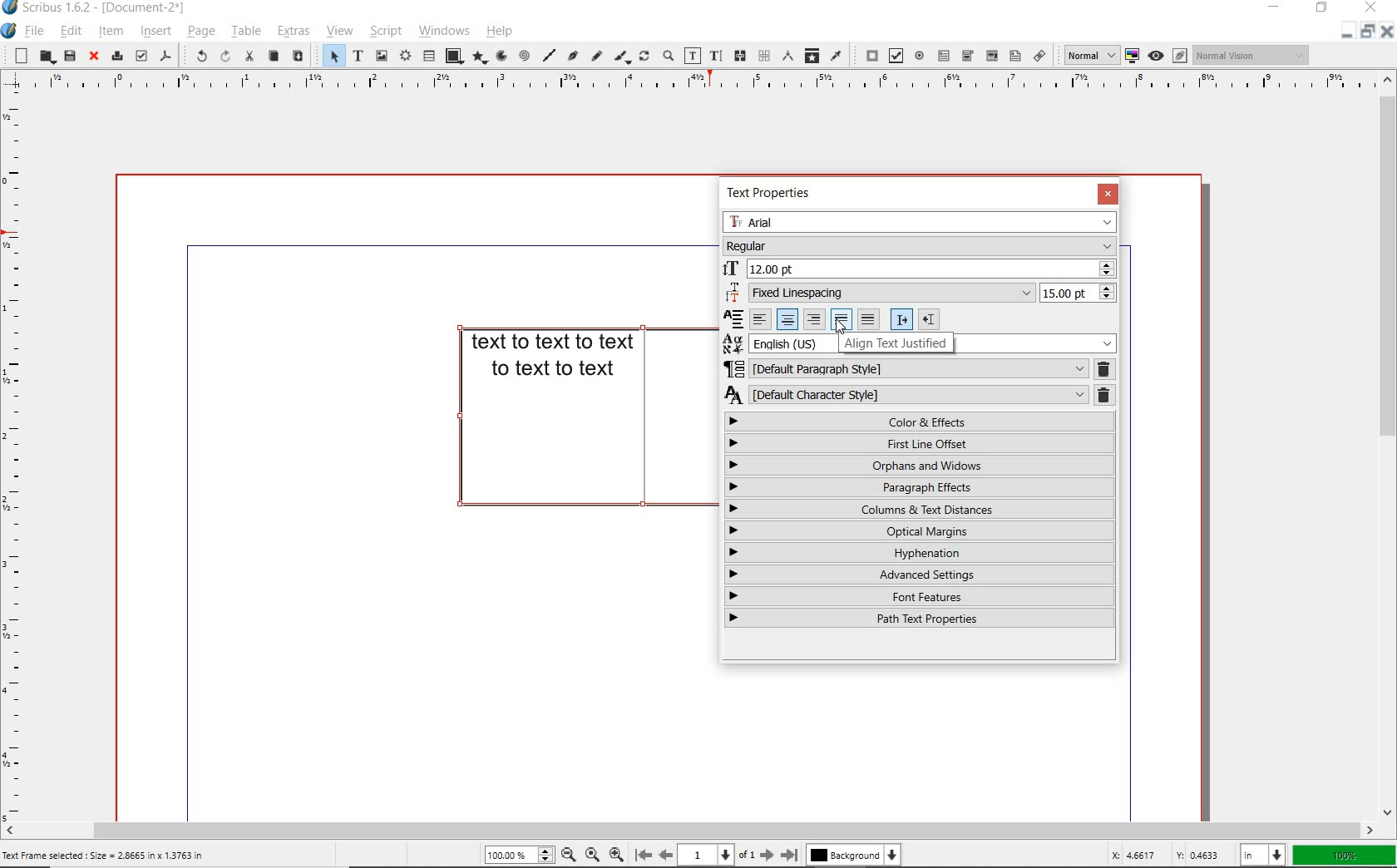 This screenshot has width=1397, height=868. I want to click on PATH TEXT PROPERTIES, so click(924, 618).